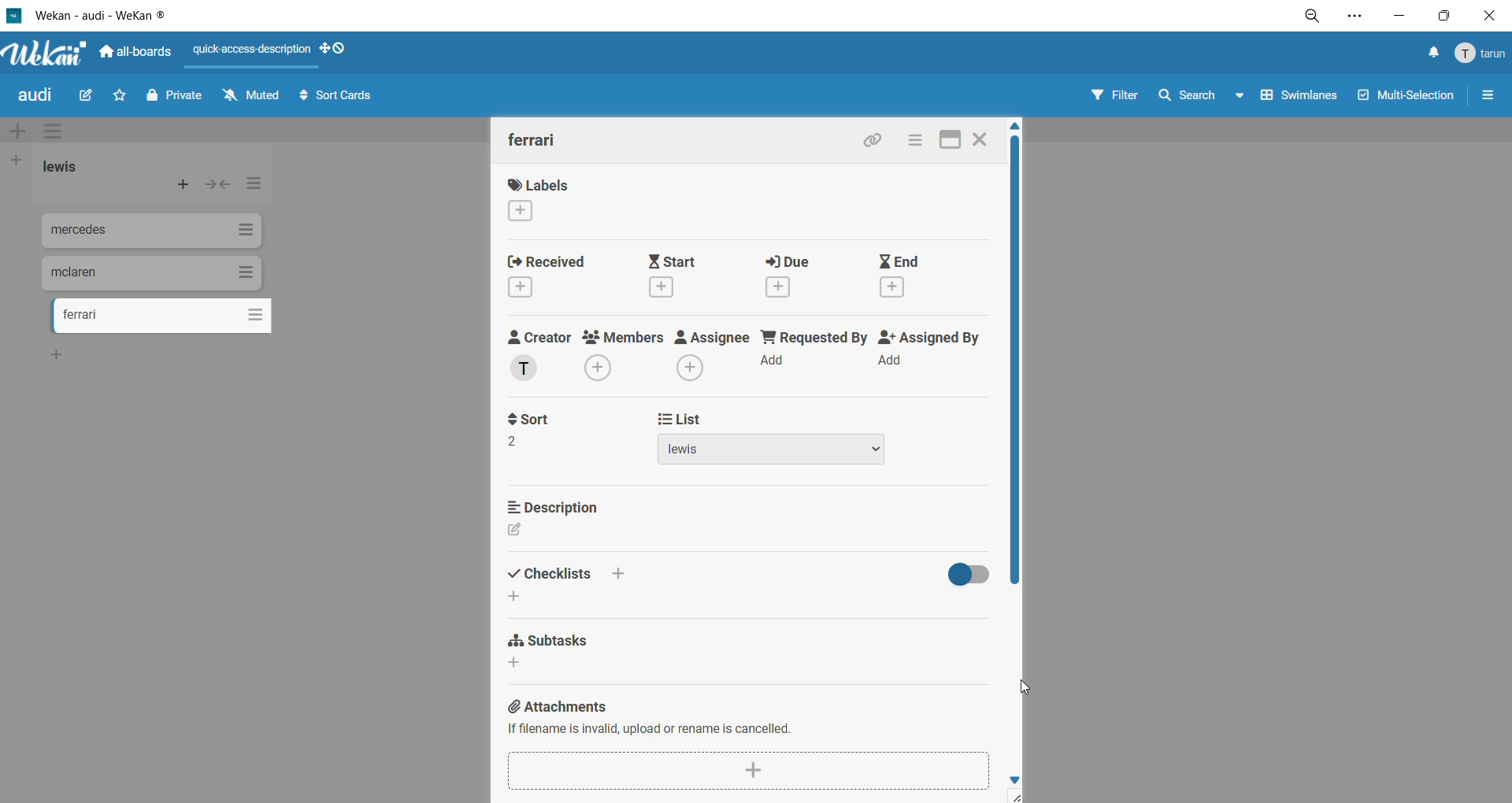 Image resolution: width=1512 pixels, height=803 pixels. I want to click on list title, so click(62, 168).